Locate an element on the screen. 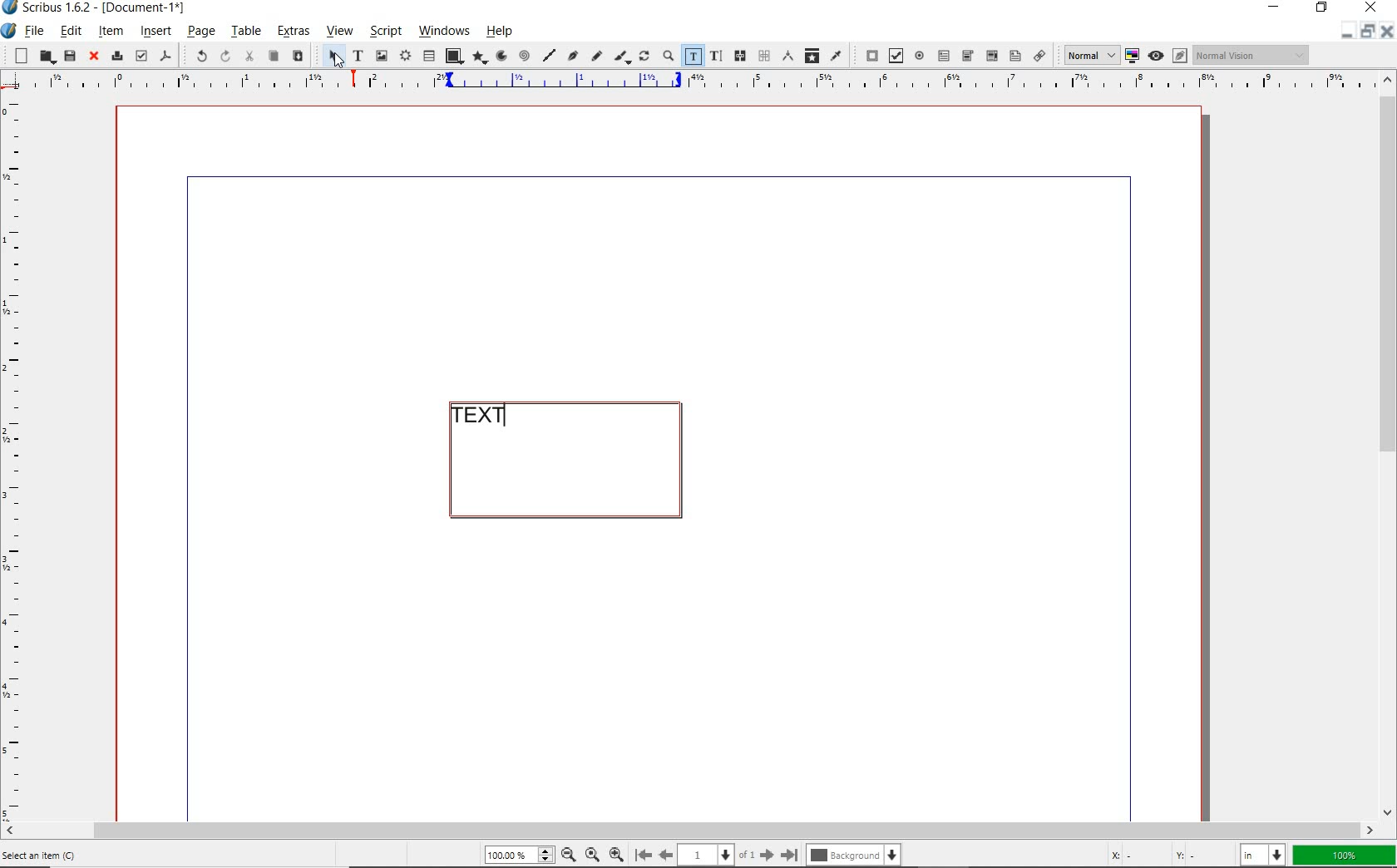 The image size is (1397, 868). Zoom Out is located at coordinates (570, 856).